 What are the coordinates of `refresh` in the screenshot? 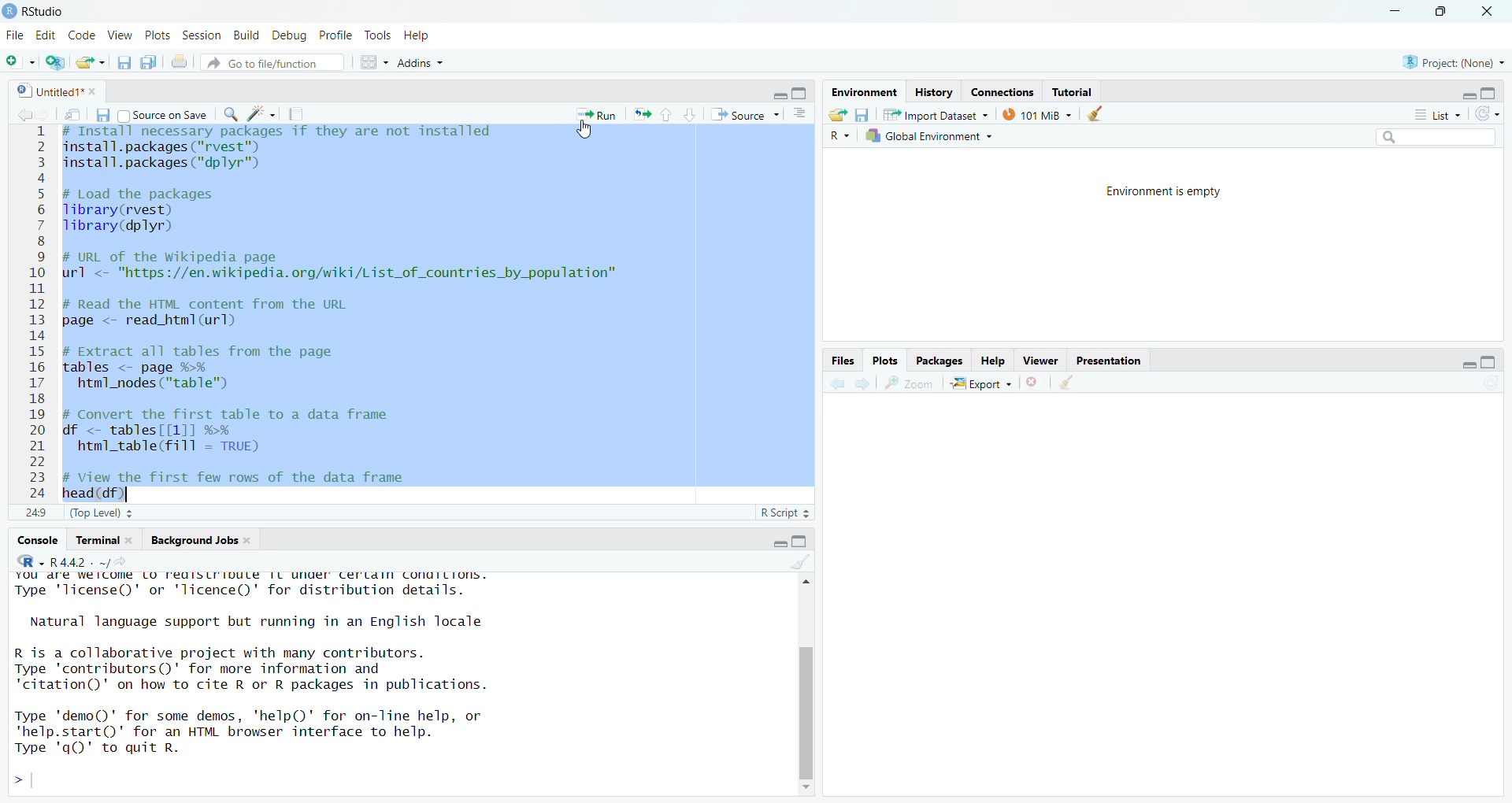 It's located at (1487, 114).